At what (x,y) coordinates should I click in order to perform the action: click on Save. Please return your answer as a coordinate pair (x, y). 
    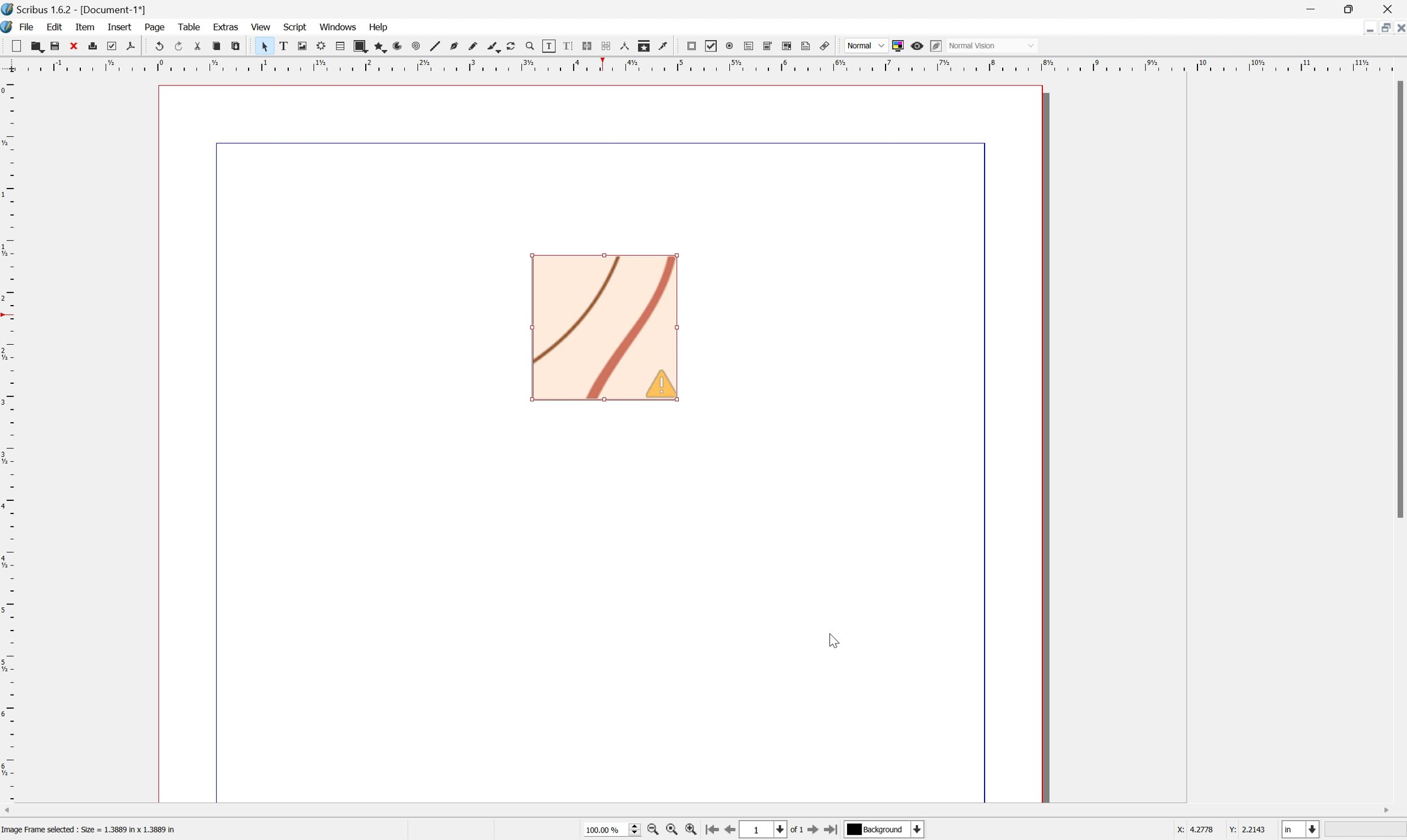
    Looking at the image, I should click on (56, 45).